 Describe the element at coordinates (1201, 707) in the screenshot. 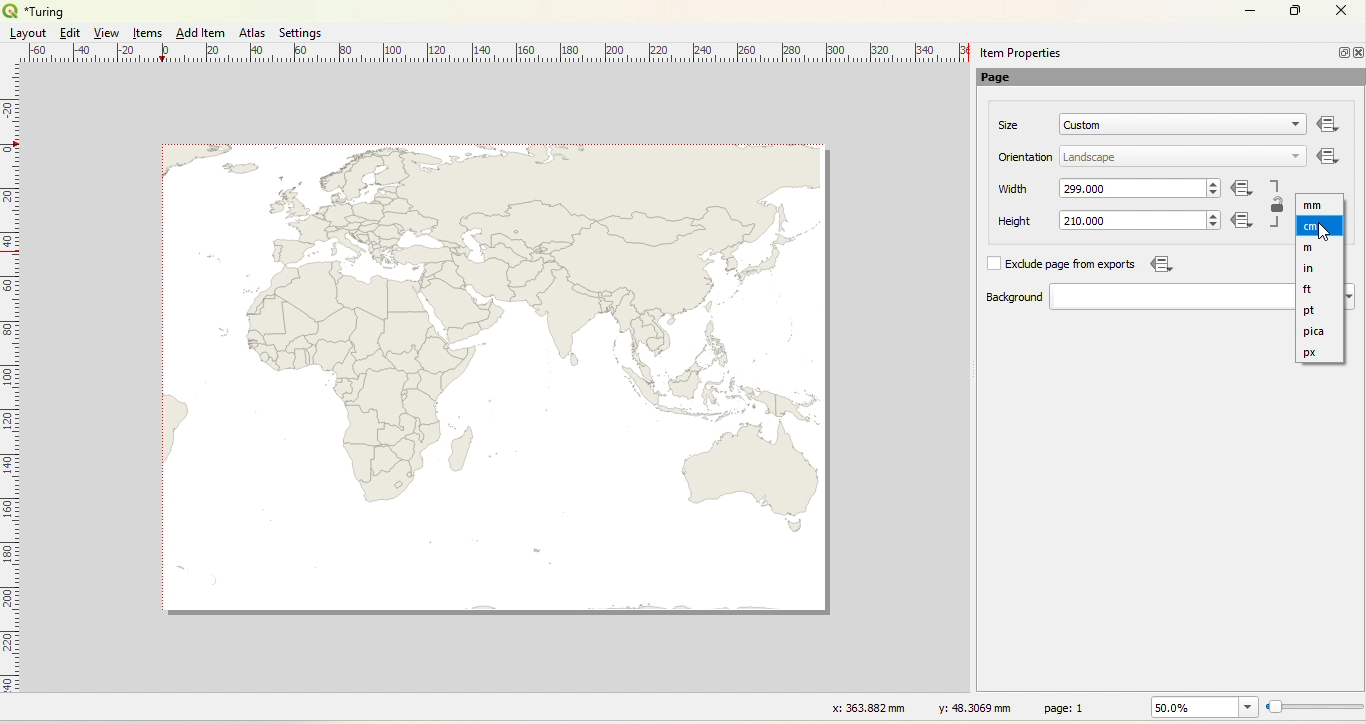

I see `50.0%` at that location.